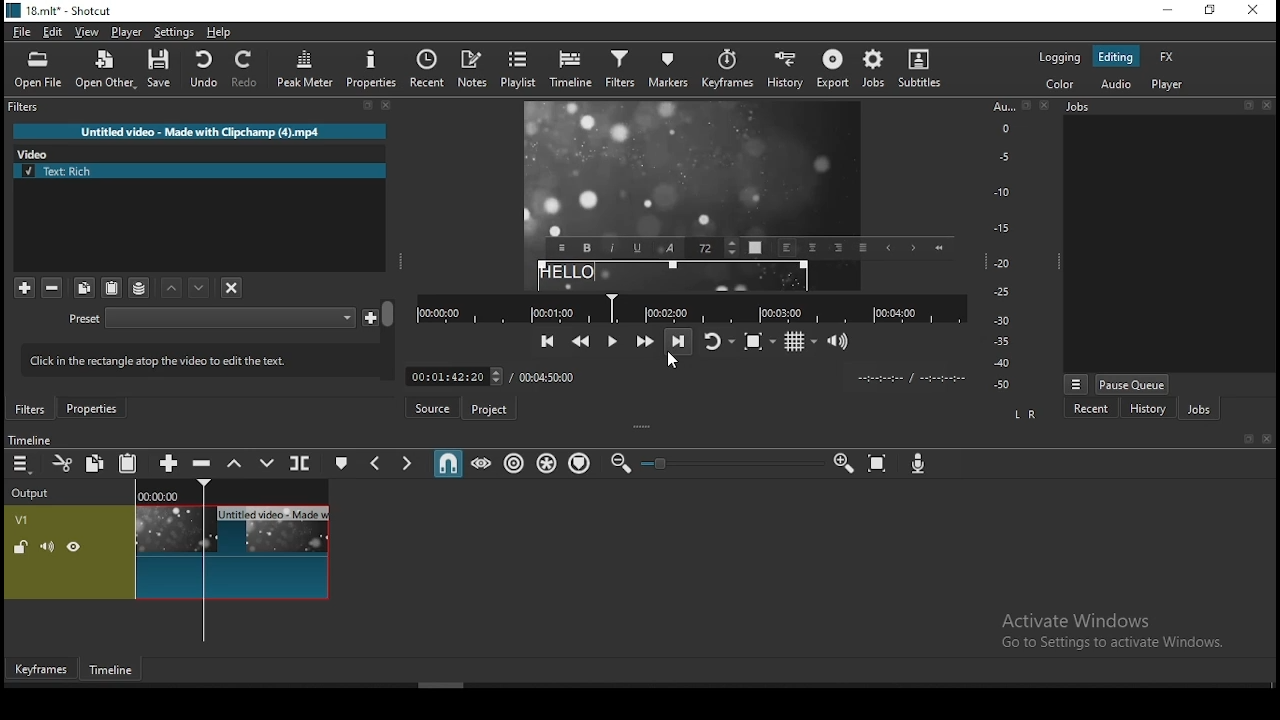 This screenshot has width=1280, height=720. Describe the element at coordinates (427, 69) in the screenshot. I see `recent` at that location.